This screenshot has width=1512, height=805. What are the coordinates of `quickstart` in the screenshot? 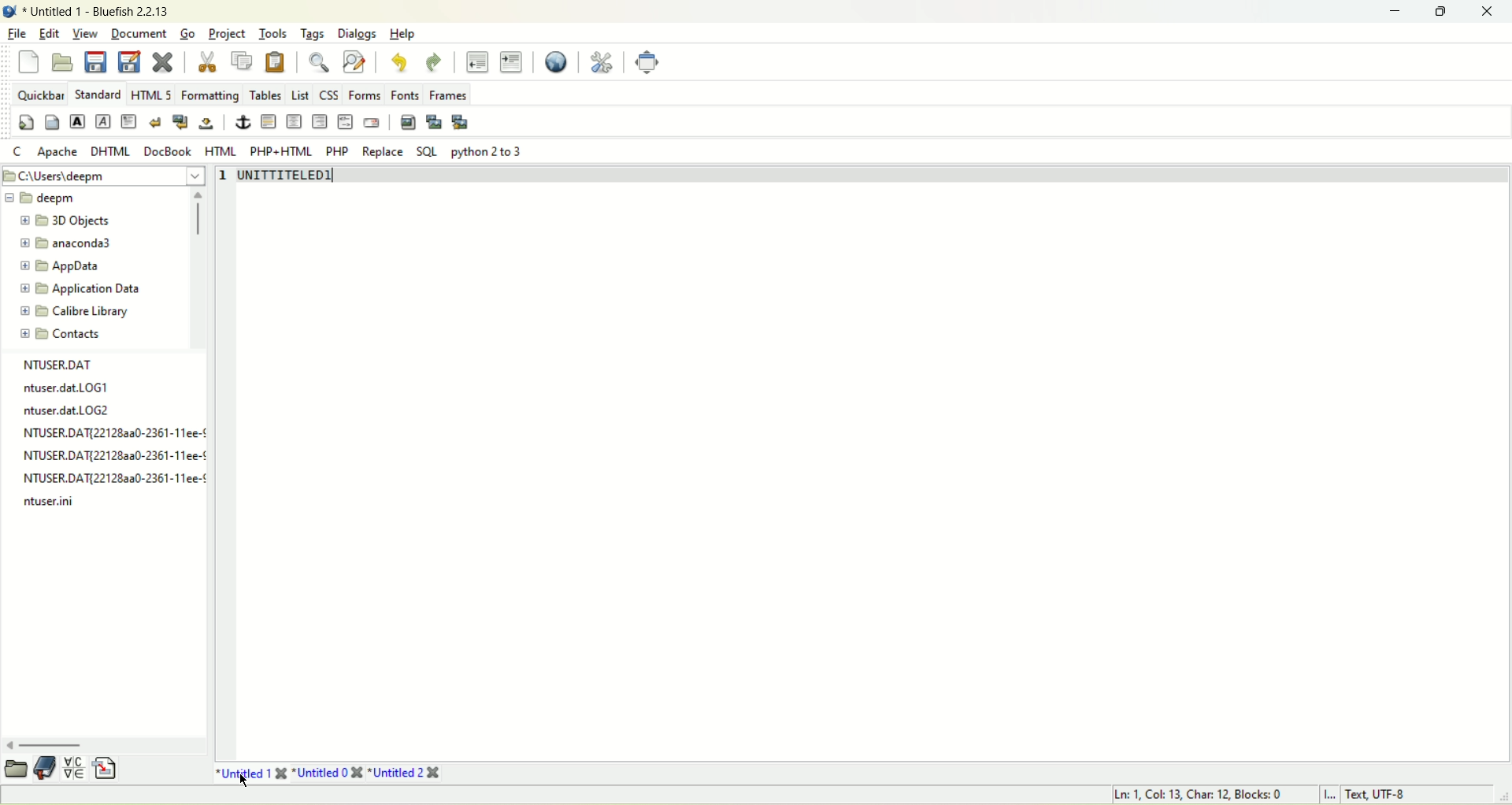 It's located at (24, 124).